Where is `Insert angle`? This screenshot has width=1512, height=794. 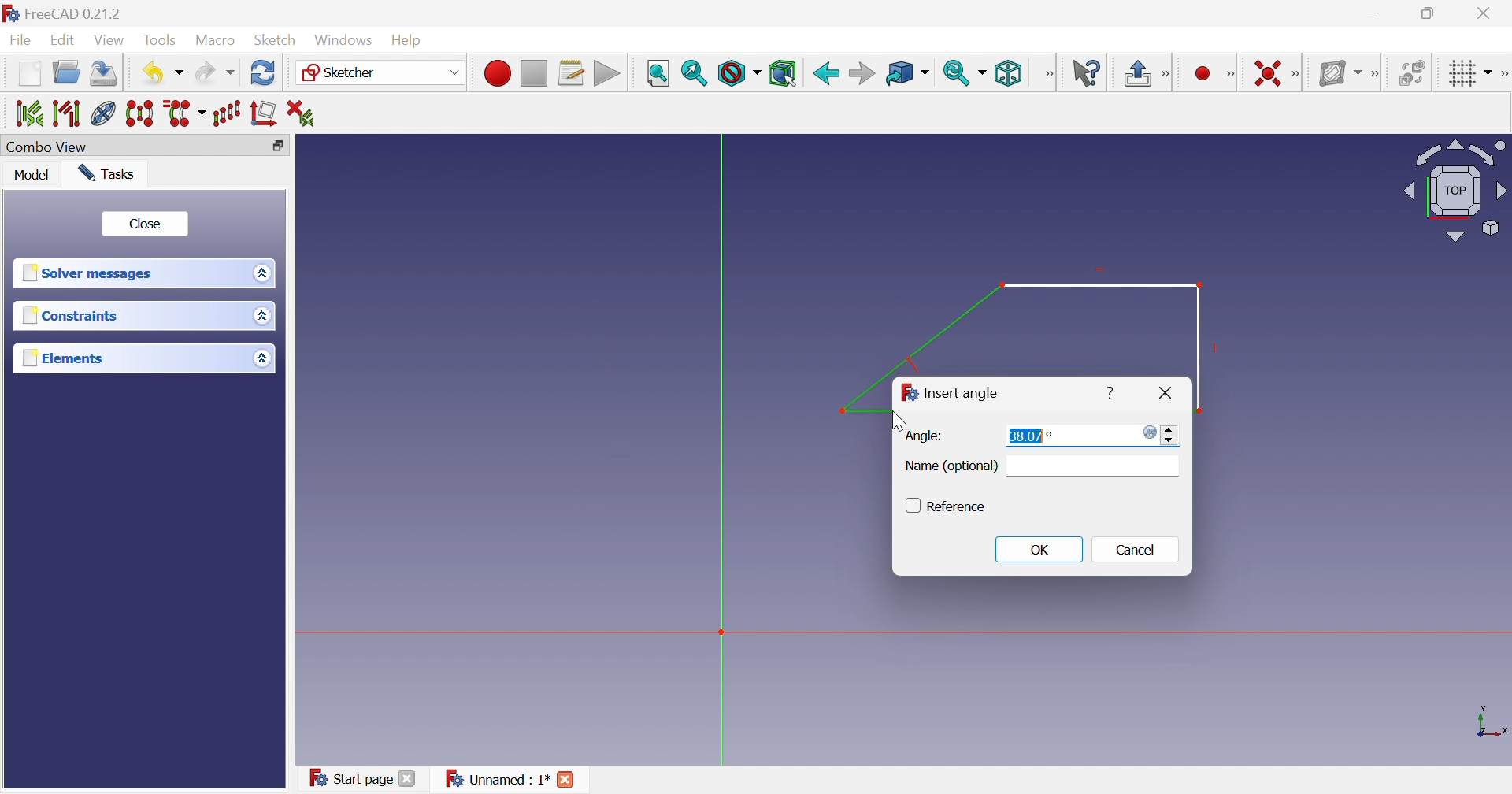 Insert angle is located at coordinates (962, 394).